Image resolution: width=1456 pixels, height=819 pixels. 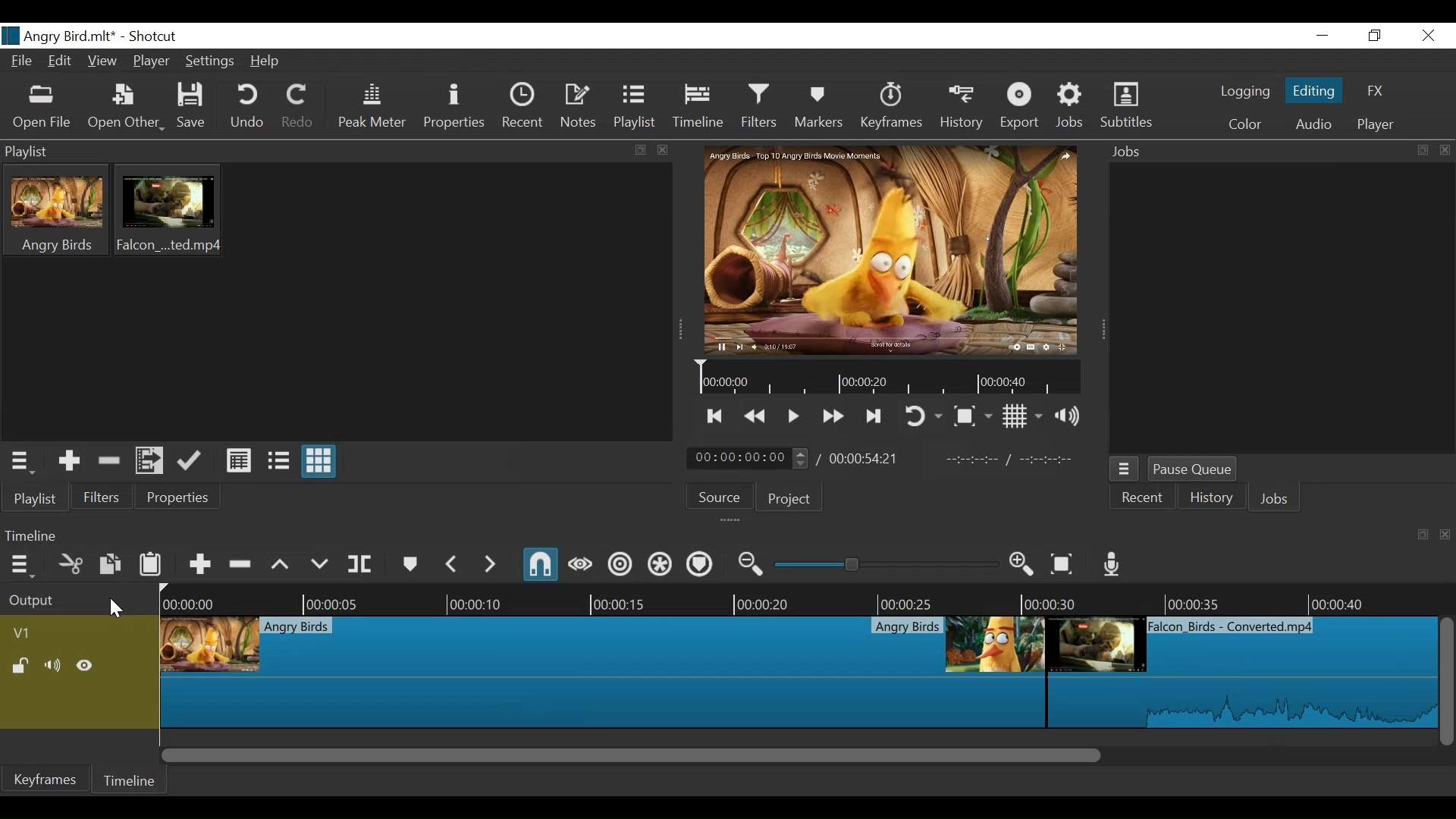 I want to click on Vertical Scroll bar, so click(x=1447, y=683).